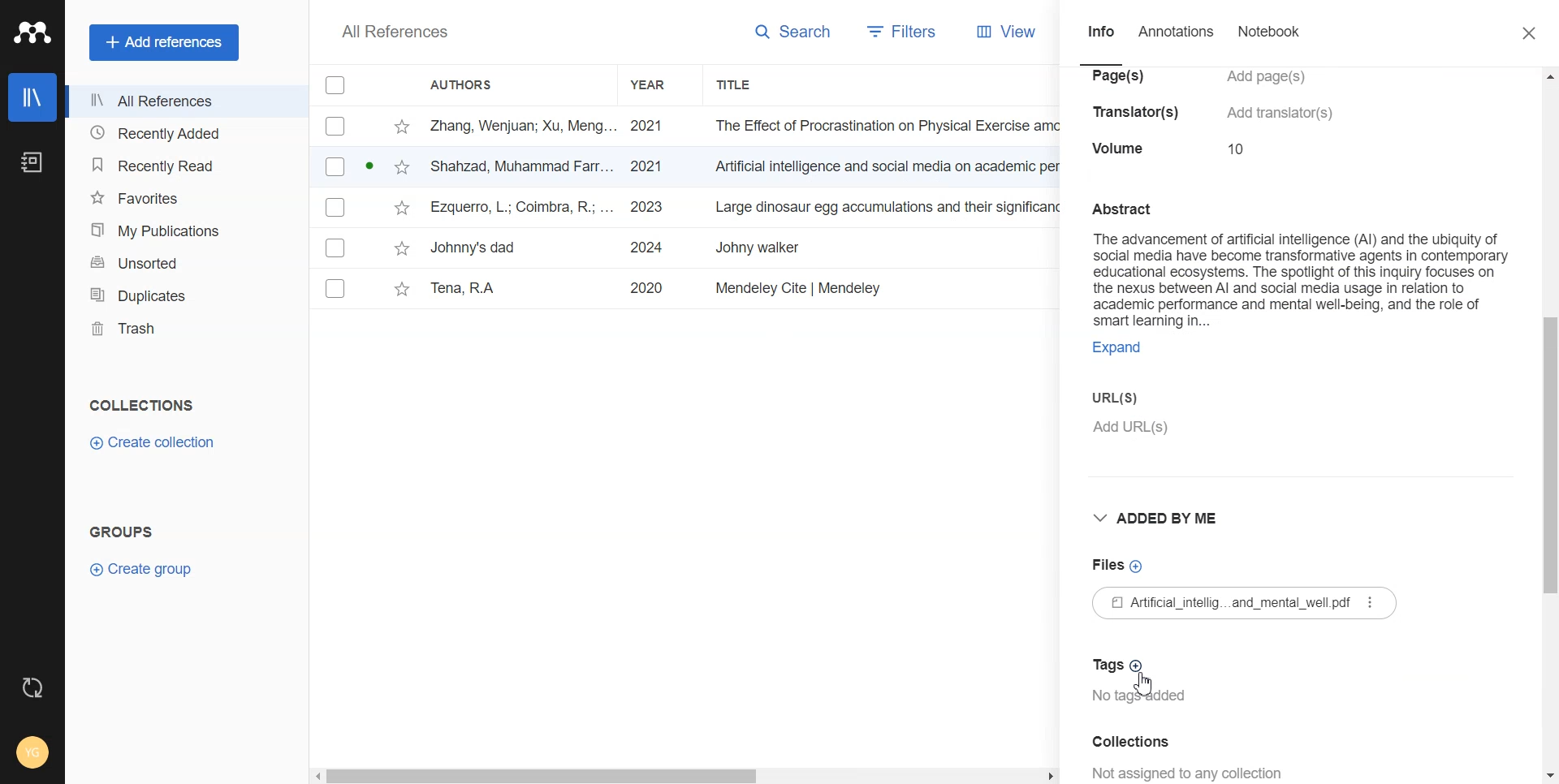  What do you see at coordinates (470, 84) in the screenshot?
I see `Authors` at bounding box center [470, 84].